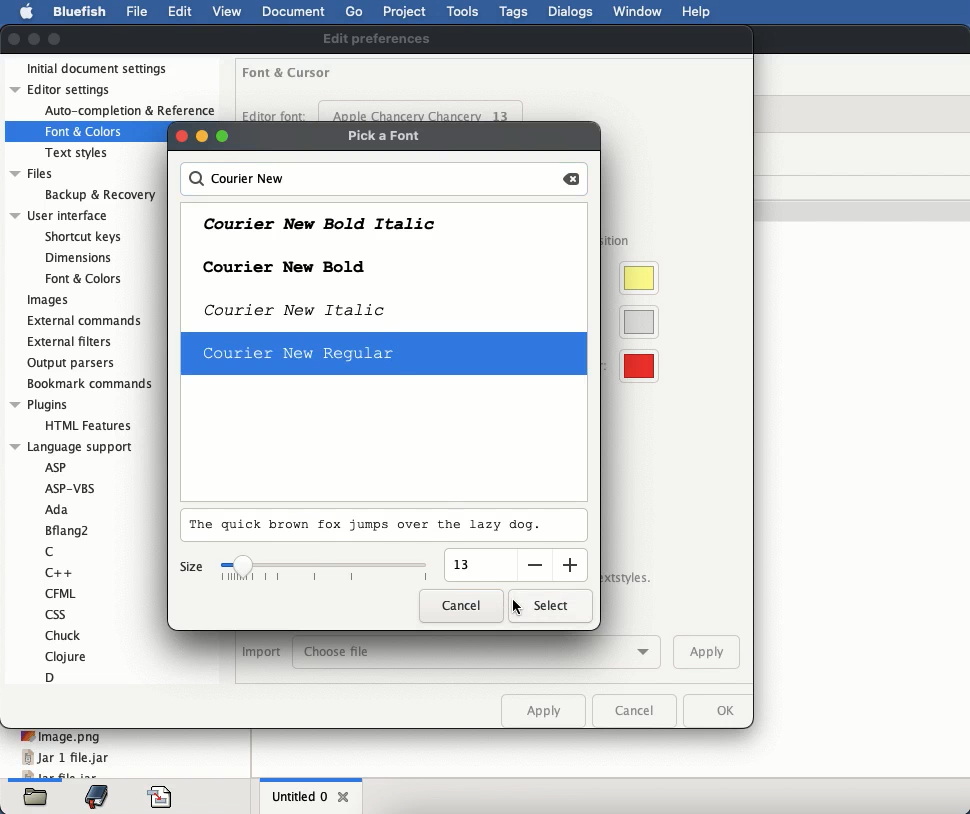  Describe the element at coordinates (696, 12) in the screenshot. I see `help` at that location.